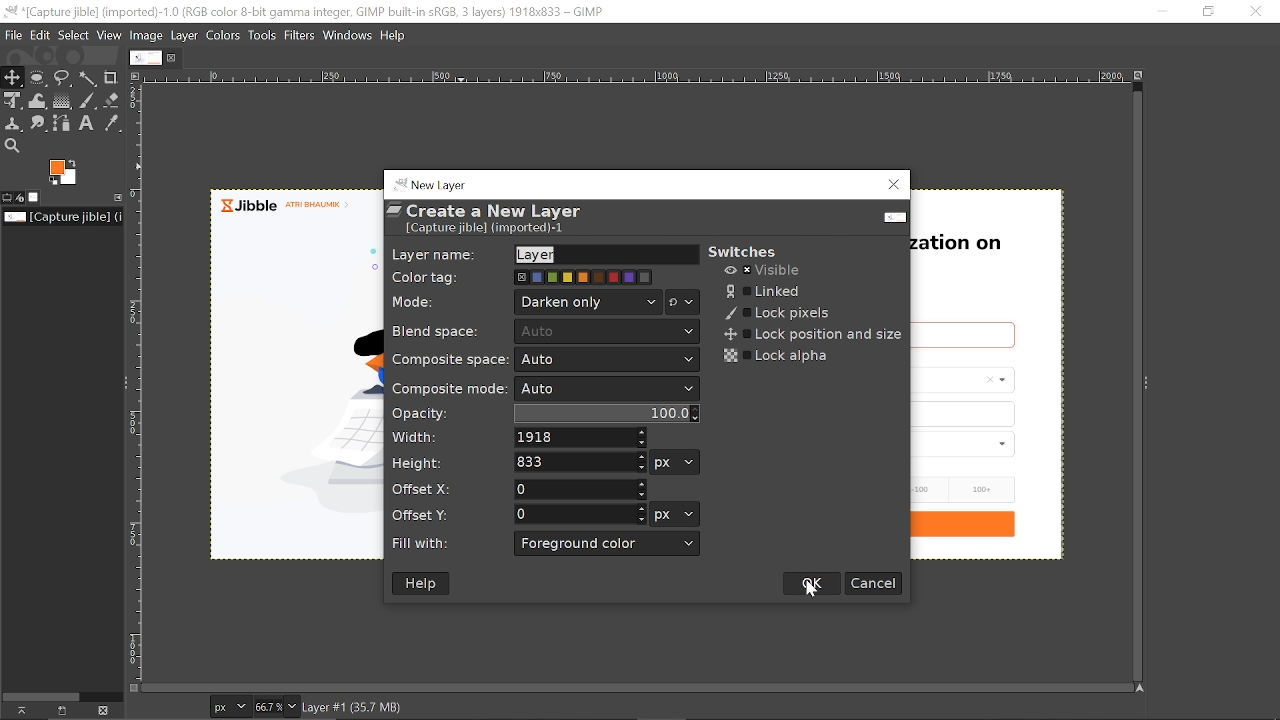 This screenshot has height=720, width=1280. Describe the element at coordinates (17, 713) in the screenshot. I see `hide` at that location.